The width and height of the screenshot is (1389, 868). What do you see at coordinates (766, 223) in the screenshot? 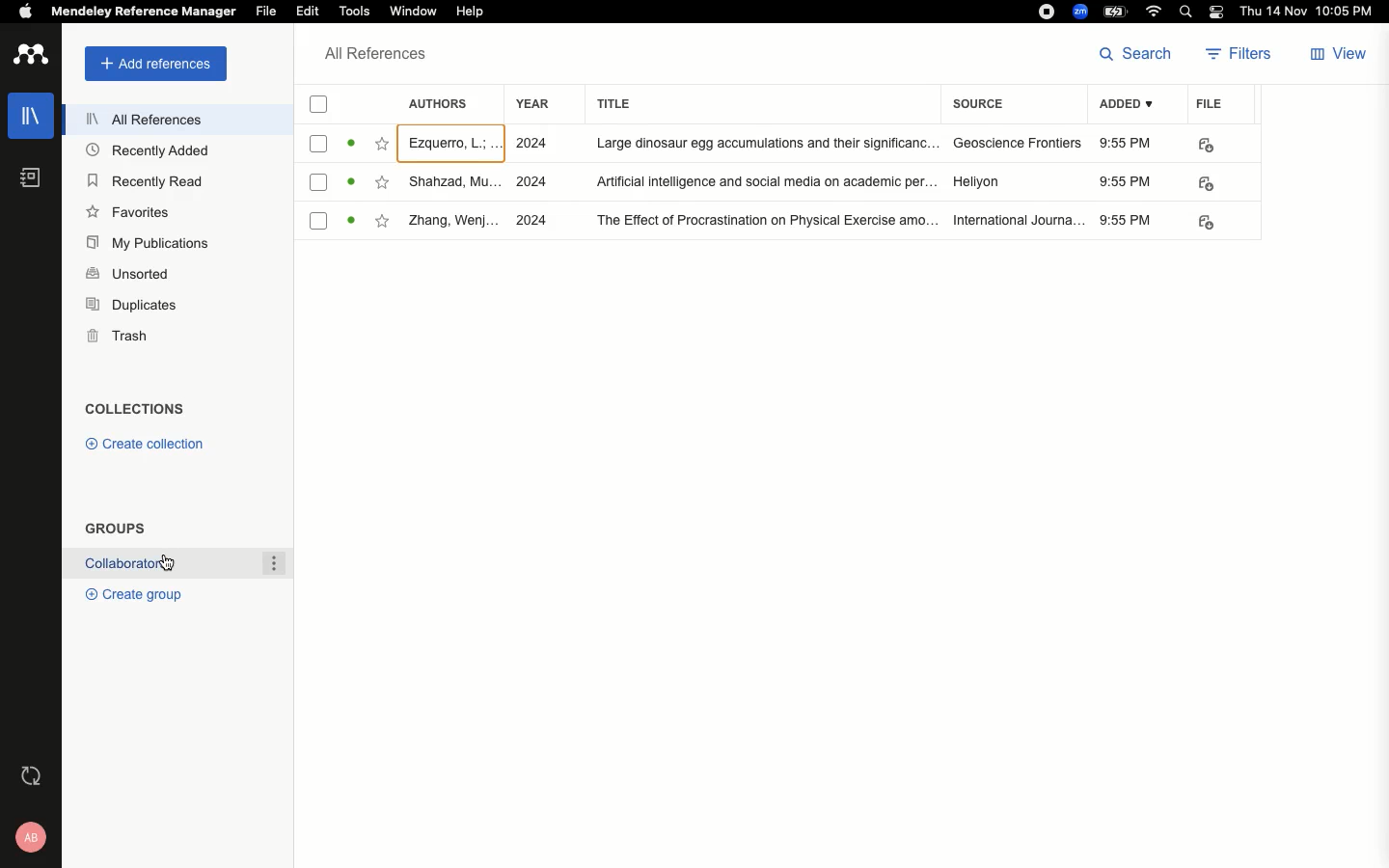
I see `TITLE` at bounding box center [766, 223].